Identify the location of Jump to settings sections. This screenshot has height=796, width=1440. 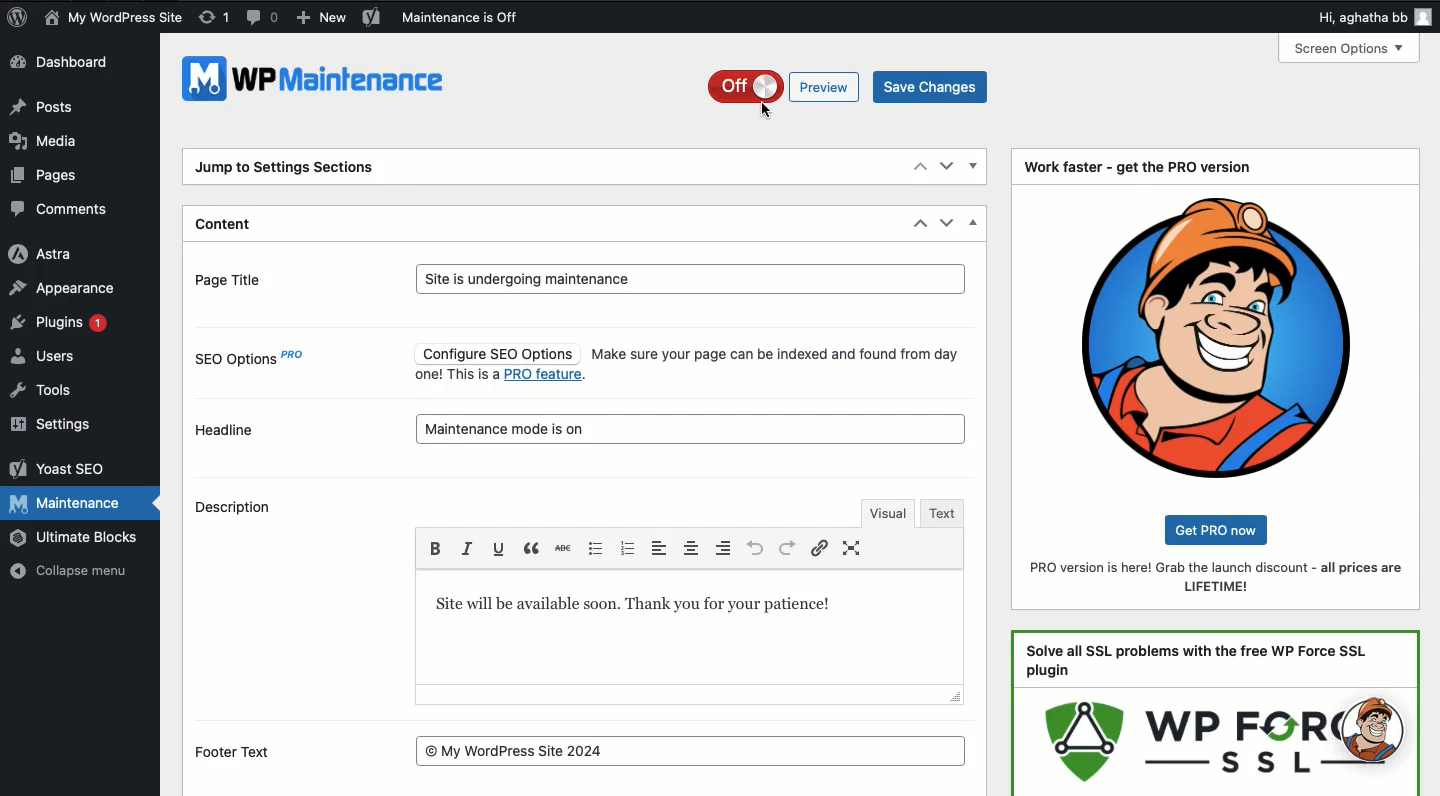
(290, 170).